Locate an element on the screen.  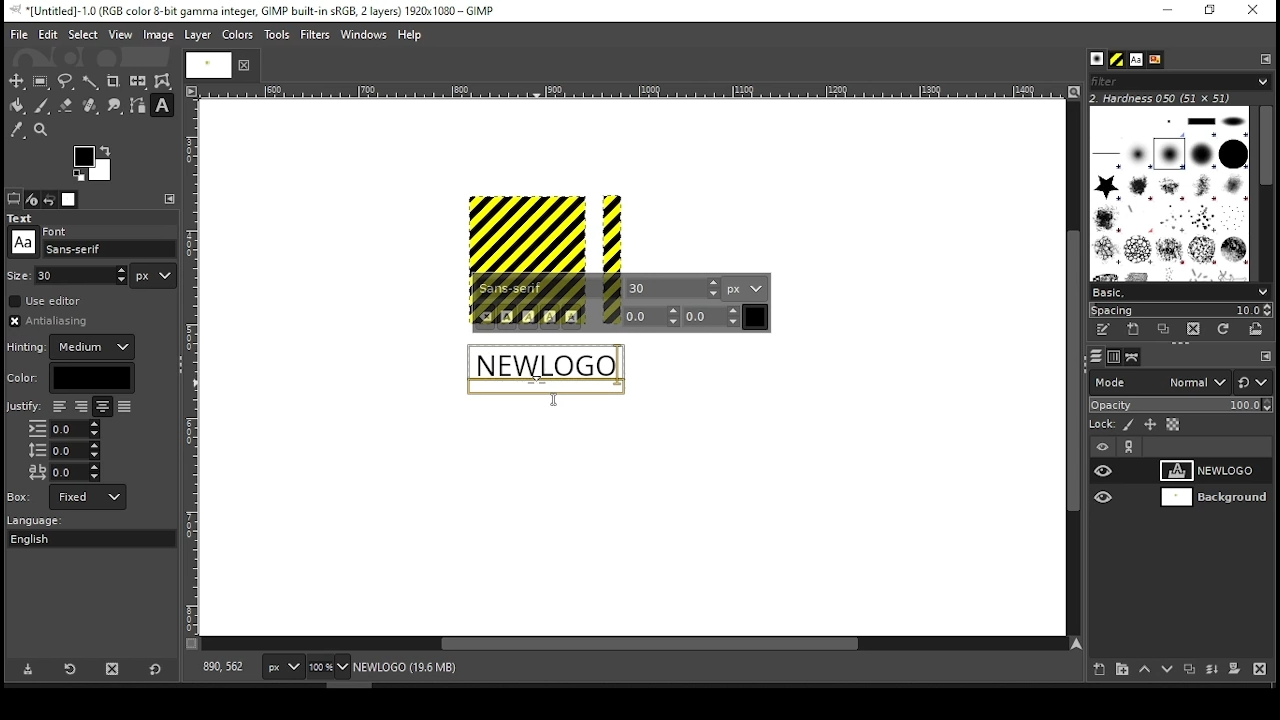
heal tool is located at coordinates (92, 107).